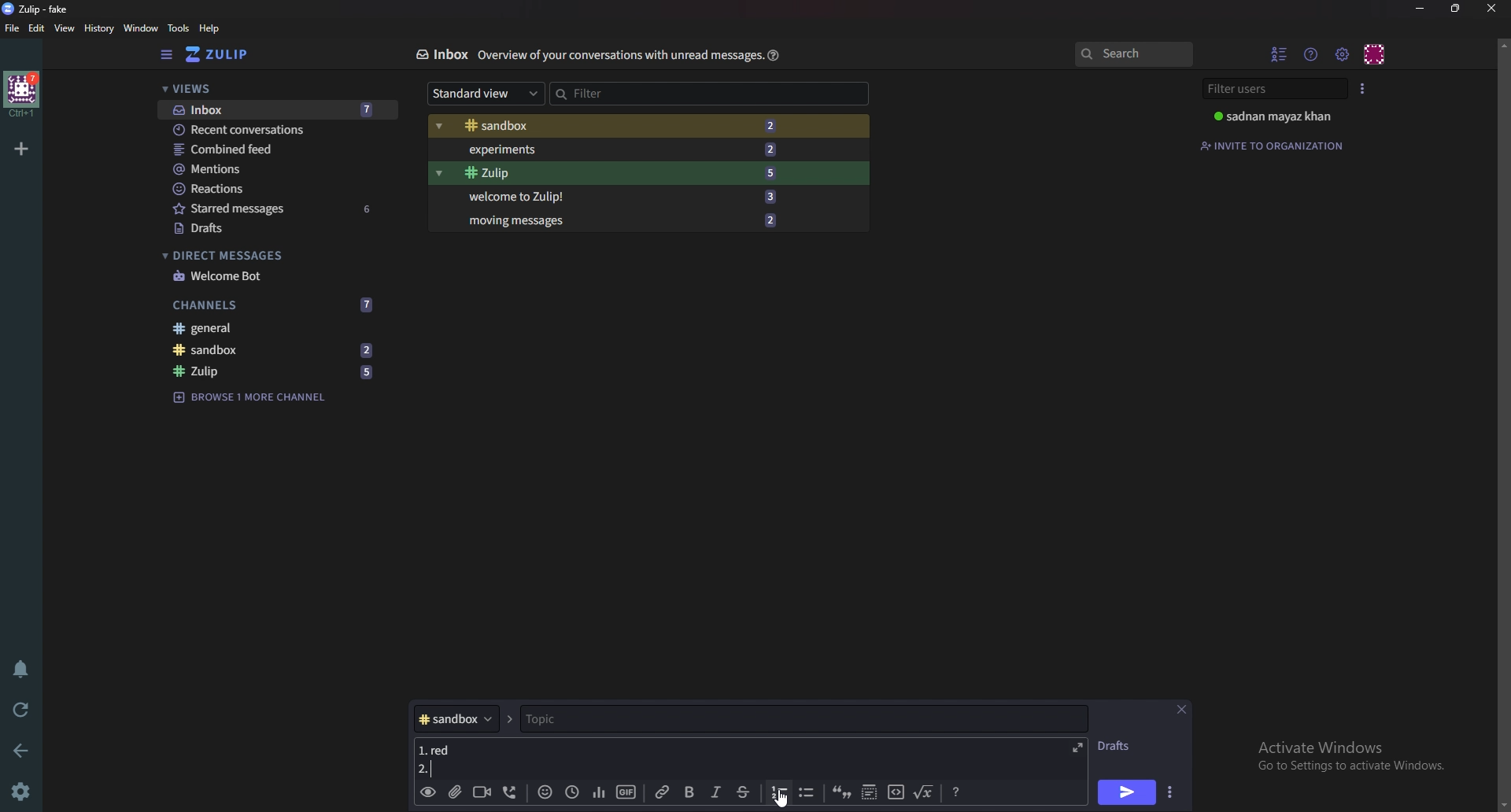 Image resolution: width=1511 pixels, height=812 pixels. Describe the element at coordinates (1276, 116) in the screenshot. I see `User` at that location.